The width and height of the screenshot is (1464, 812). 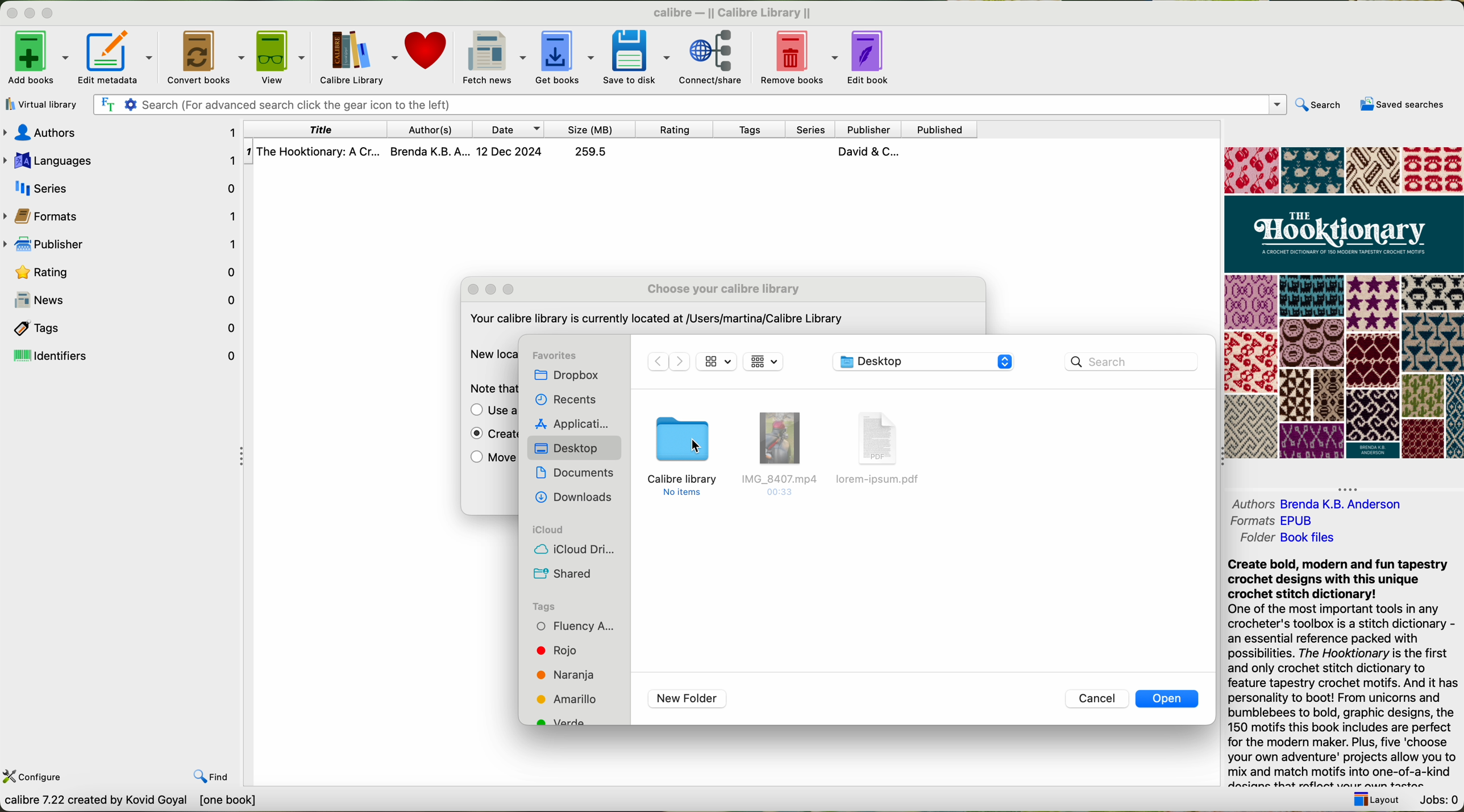 I want to click on minimize, so click(x=30, y=13).